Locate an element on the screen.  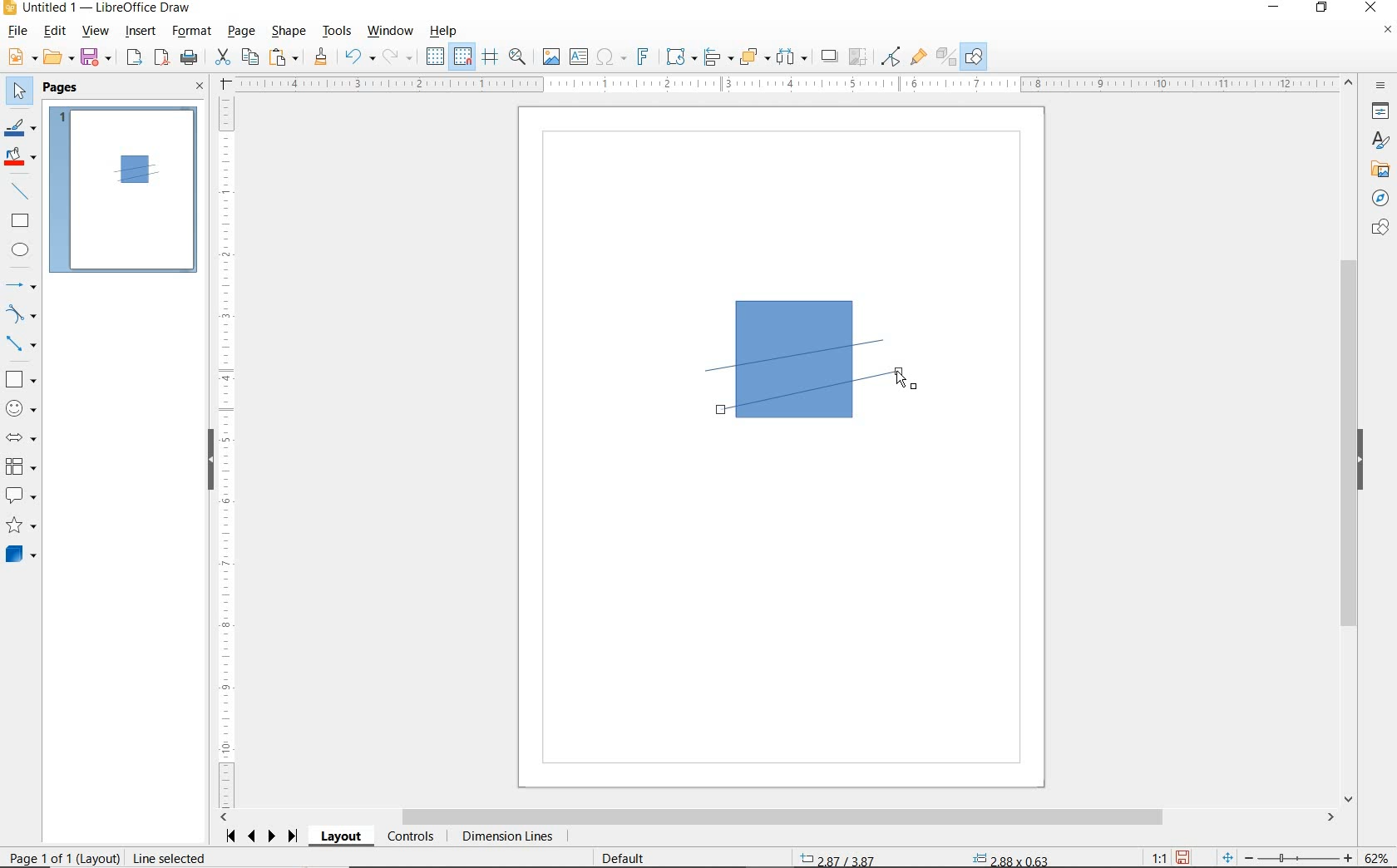
GALLERY is located at coordinates (1378, 168).